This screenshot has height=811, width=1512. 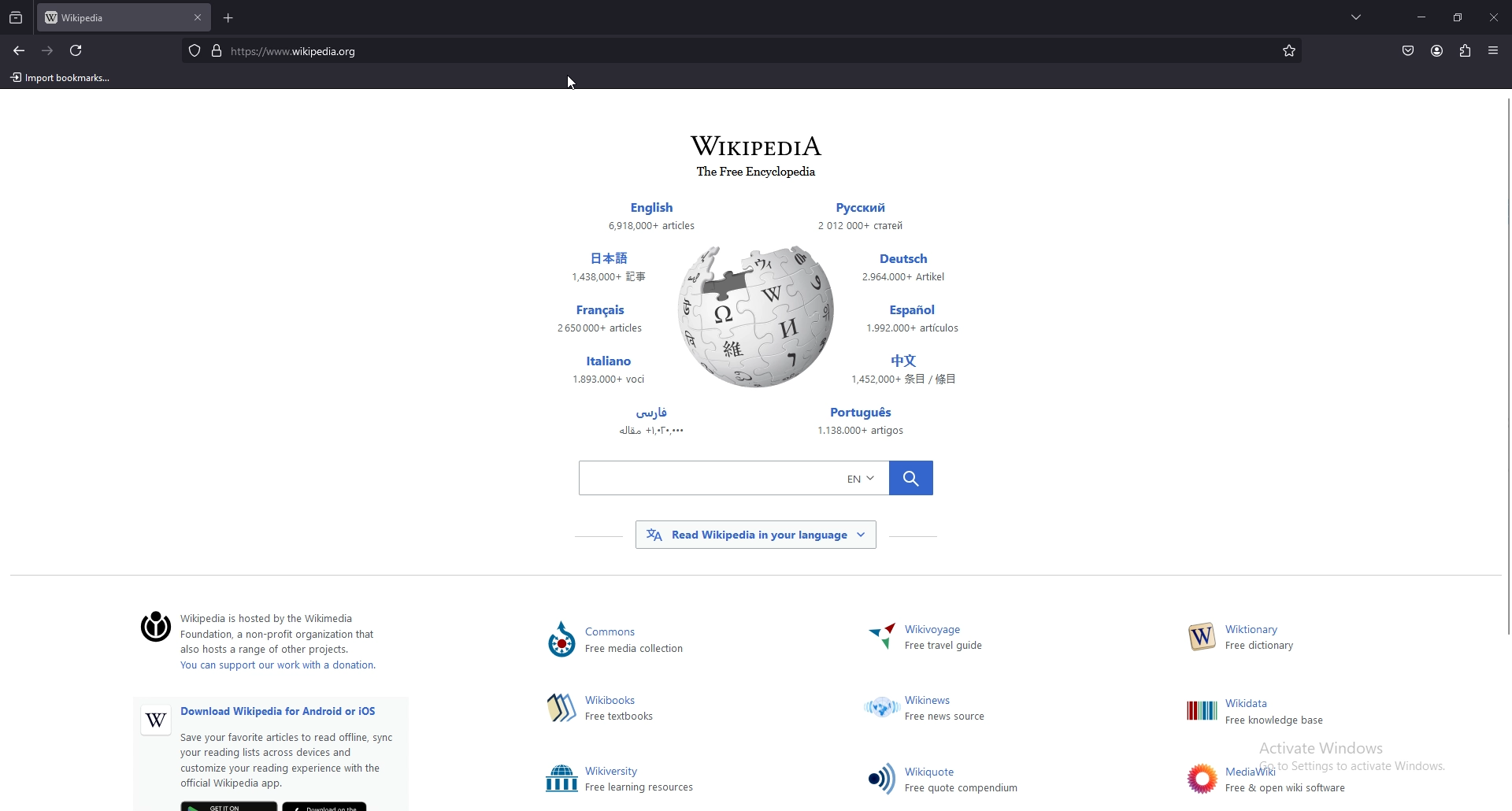 What do you see at coordinates (642, 780) in the screenshot?
I see `` at bounding box center [642, 780].